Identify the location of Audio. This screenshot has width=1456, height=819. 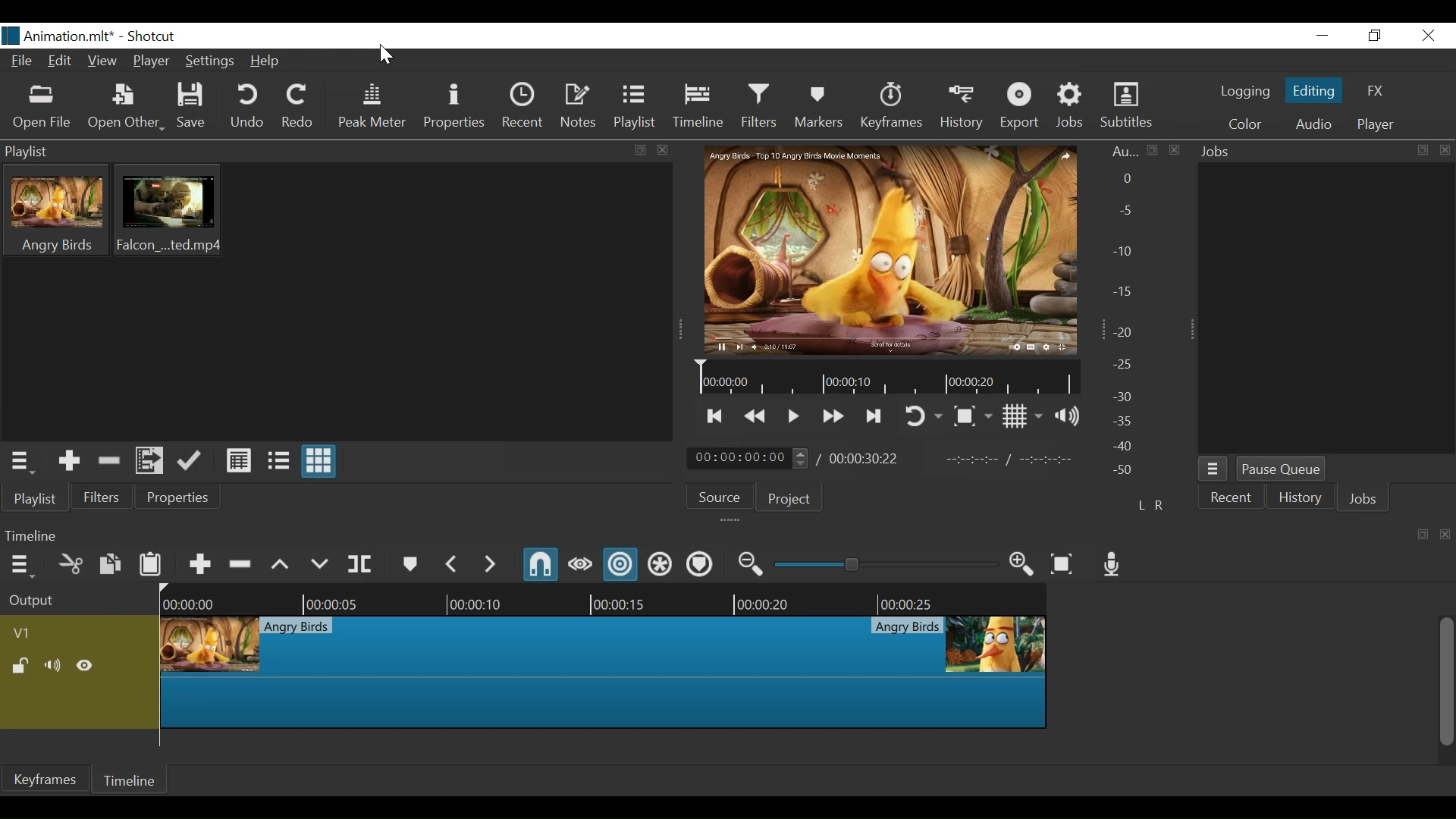
(1312, 124).